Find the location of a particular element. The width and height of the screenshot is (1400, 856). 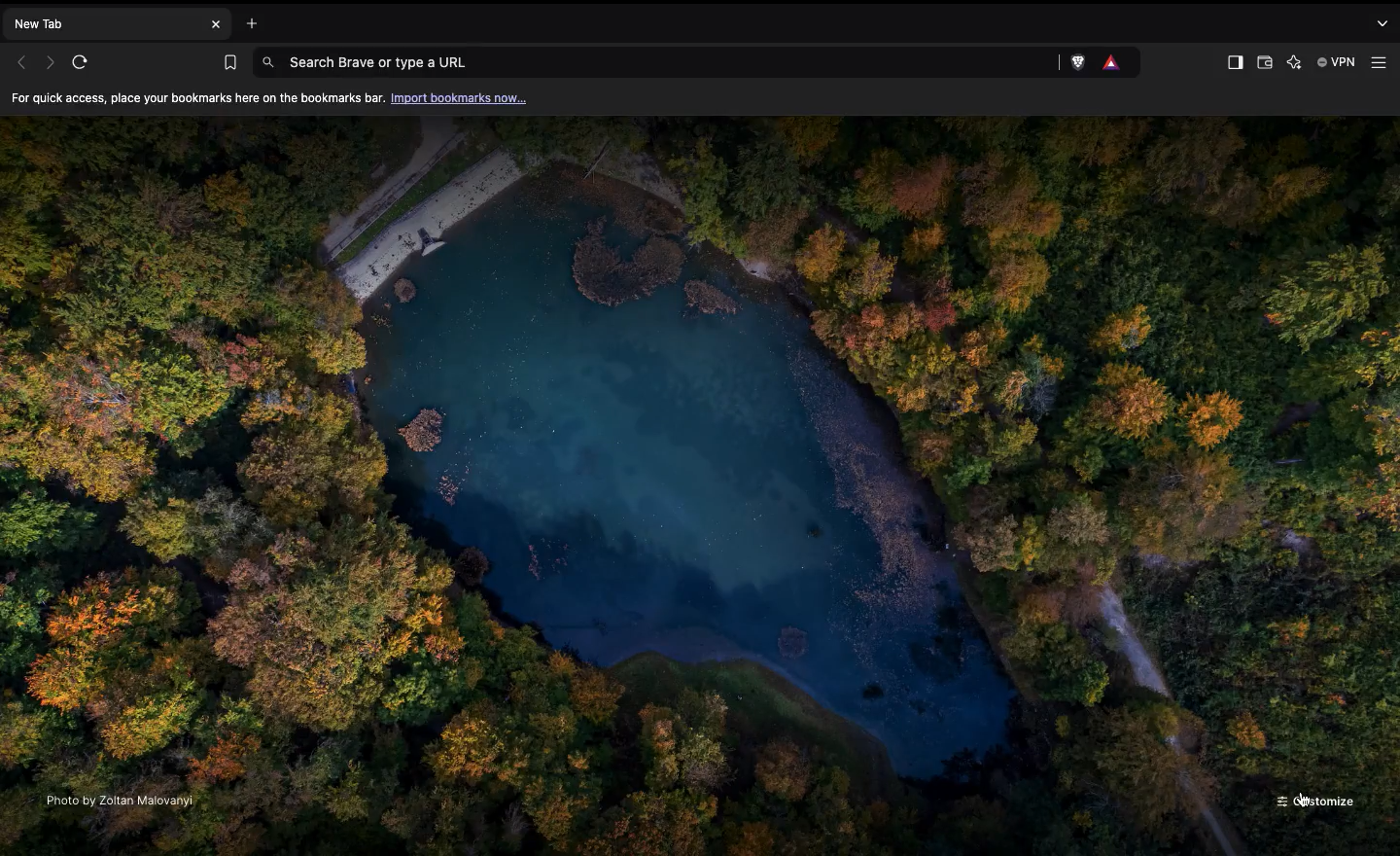

Refresh page is located at coordinates (87, 62).